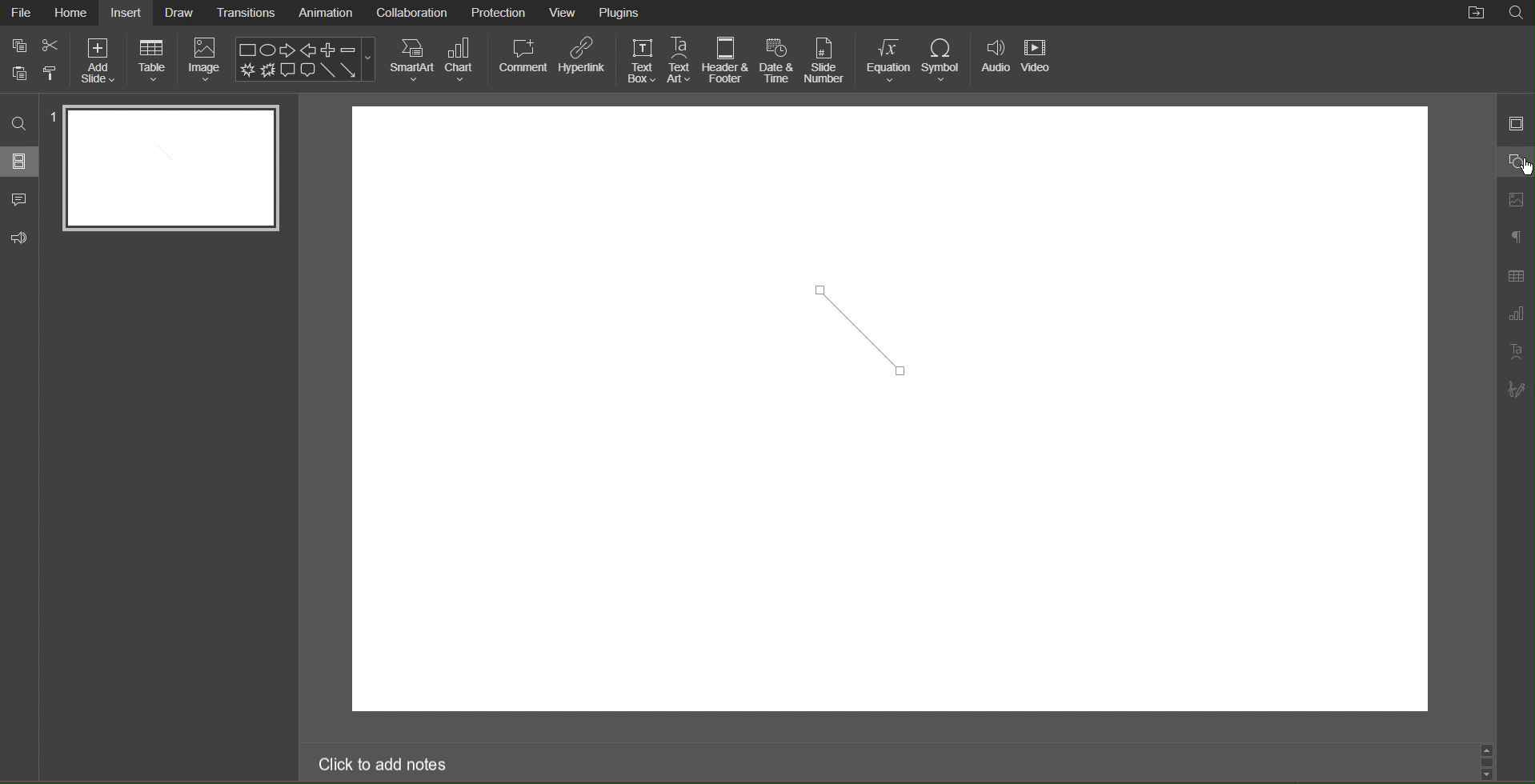 This screenshot has height=784, width=1535. Describe the element at coordinates (1517, 238) in the screenshot. I see `Paragraph Settings` at that location.